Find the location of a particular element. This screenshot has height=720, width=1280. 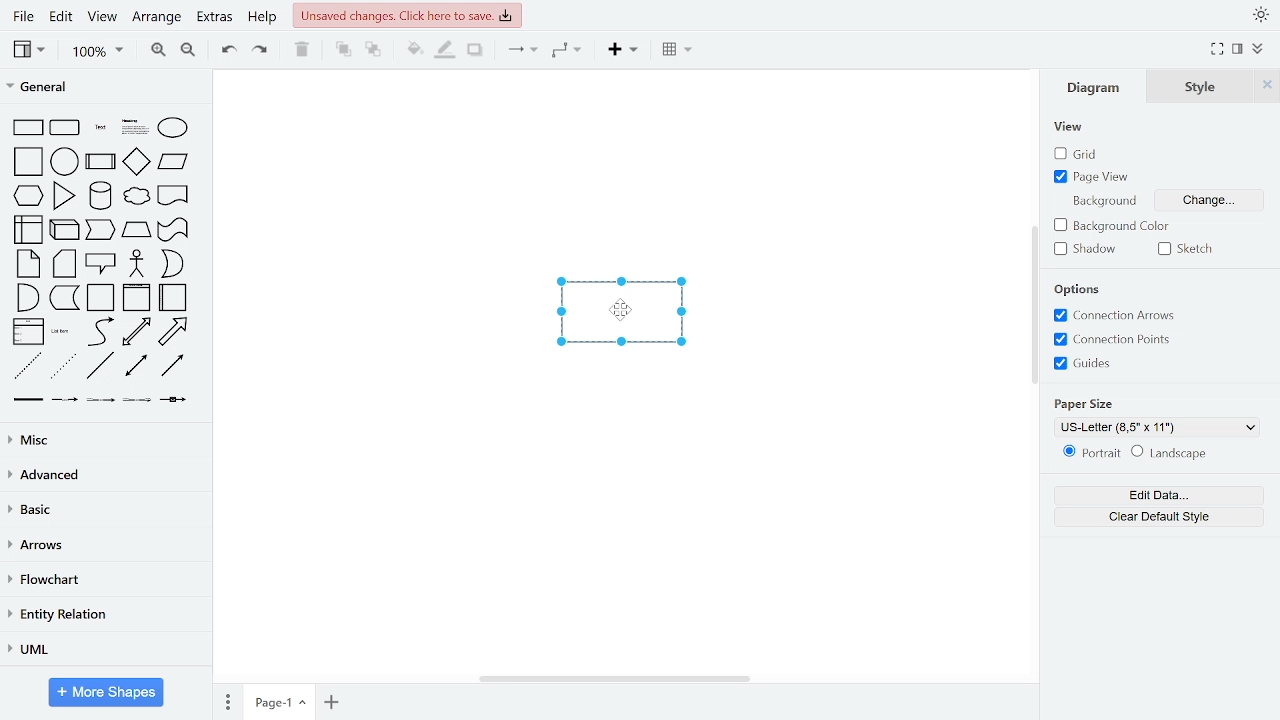

general shapes is located at coordinates (137, 365).